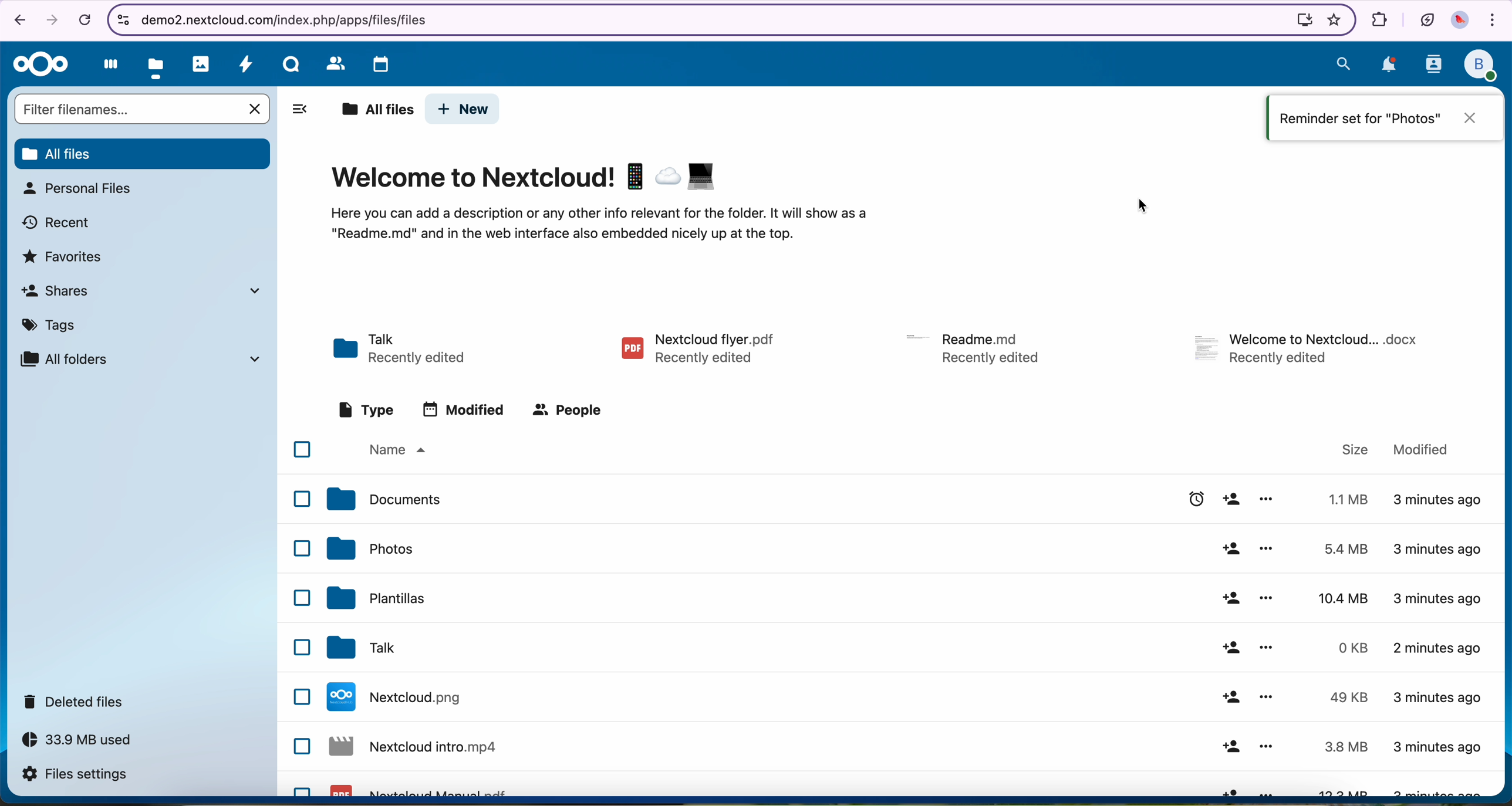  I want to click on modified, so click(1422, 449).